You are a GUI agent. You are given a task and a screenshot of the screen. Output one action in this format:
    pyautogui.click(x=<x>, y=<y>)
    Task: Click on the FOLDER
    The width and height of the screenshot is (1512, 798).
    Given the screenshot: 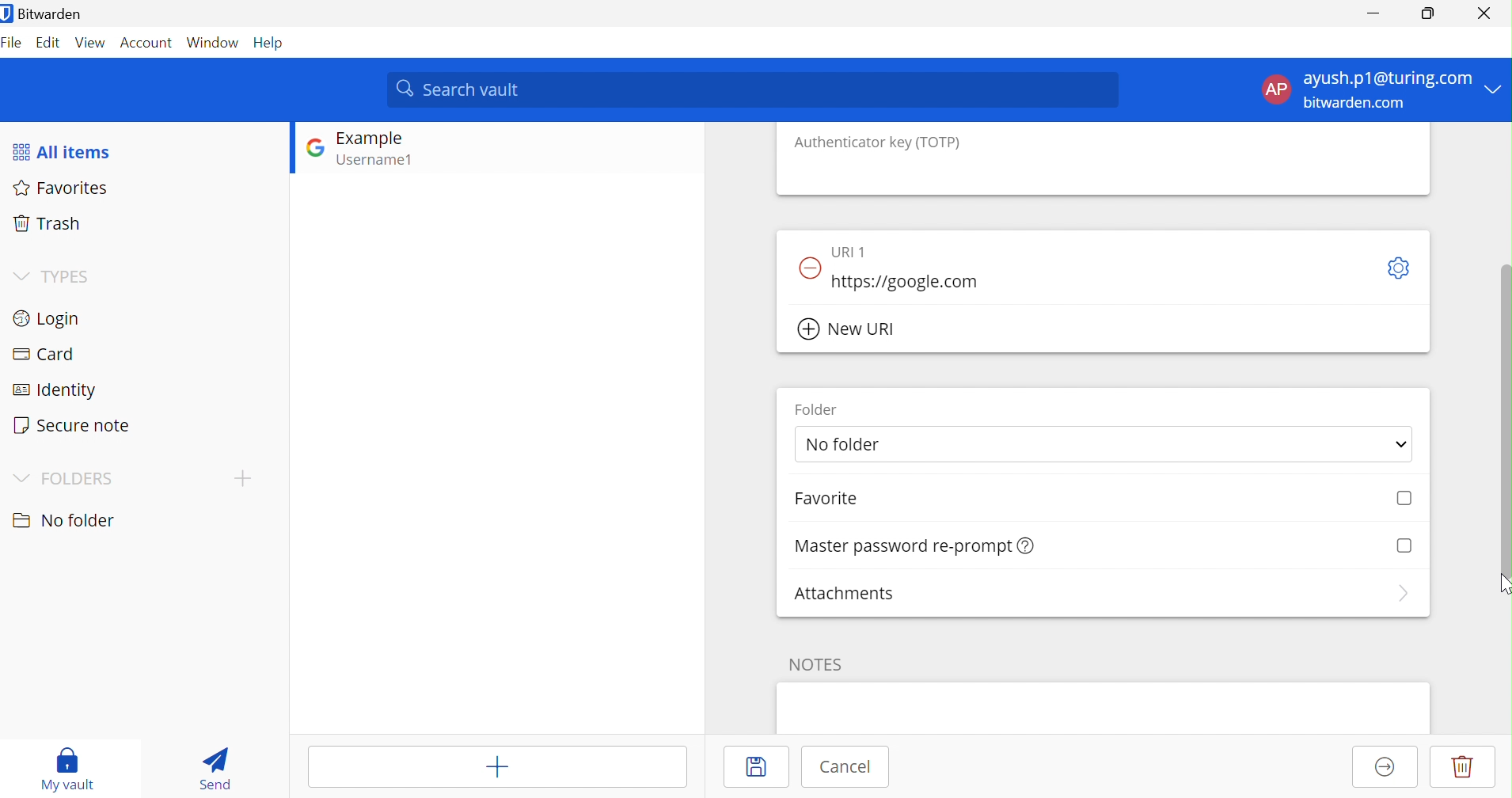 What is the action you would take?
    pyautogui.click(x=78, y=477)
    